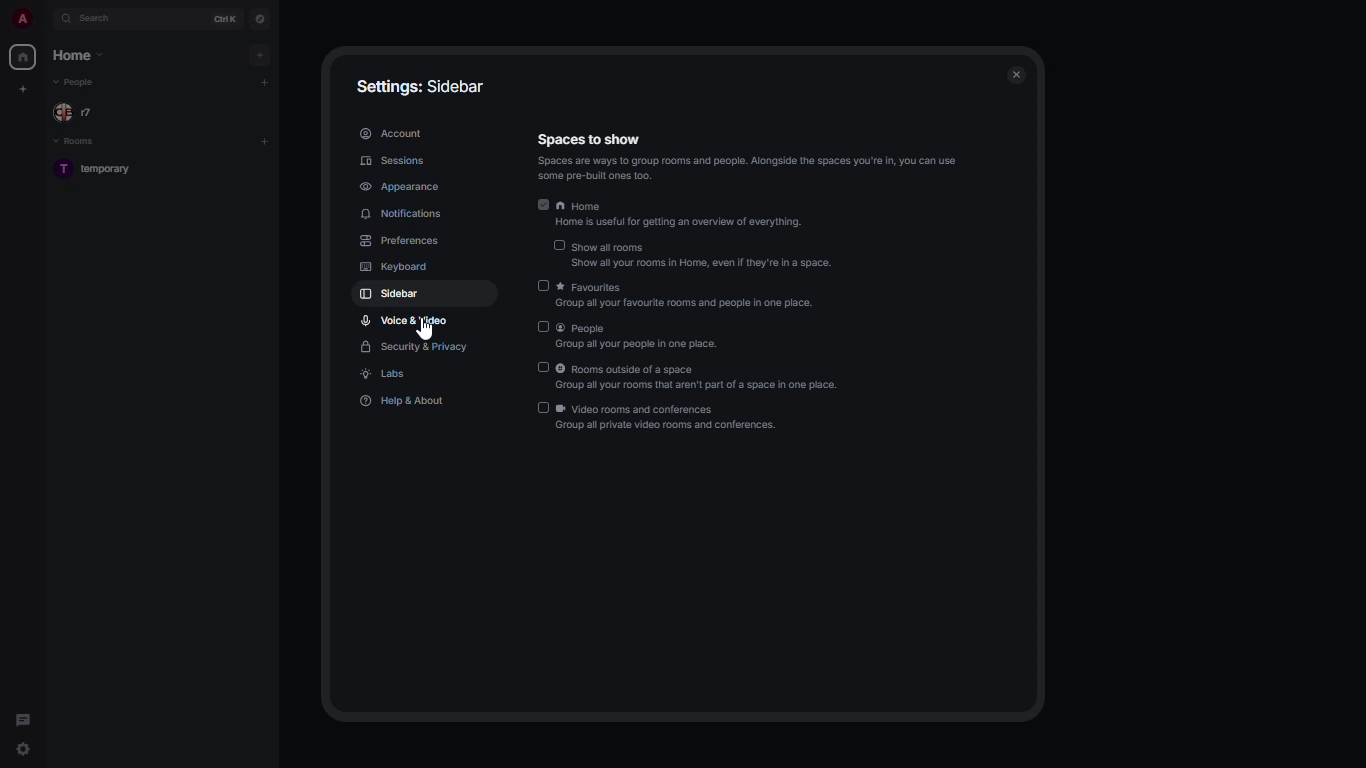 The height and width of the screenshot is (768, 1366). I want to click on voice & video, so click(405, 319).